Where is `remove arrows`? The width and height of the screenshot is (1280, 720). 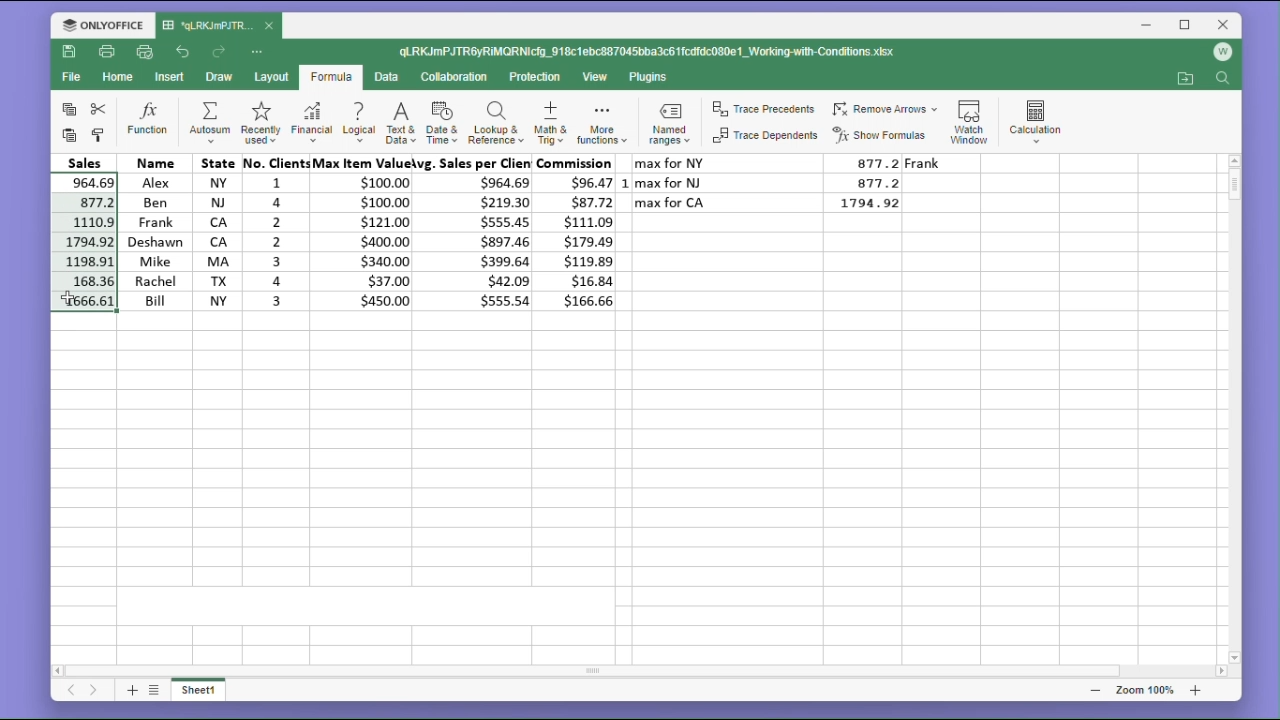
remove arrows is located at coordinates (885, 106).